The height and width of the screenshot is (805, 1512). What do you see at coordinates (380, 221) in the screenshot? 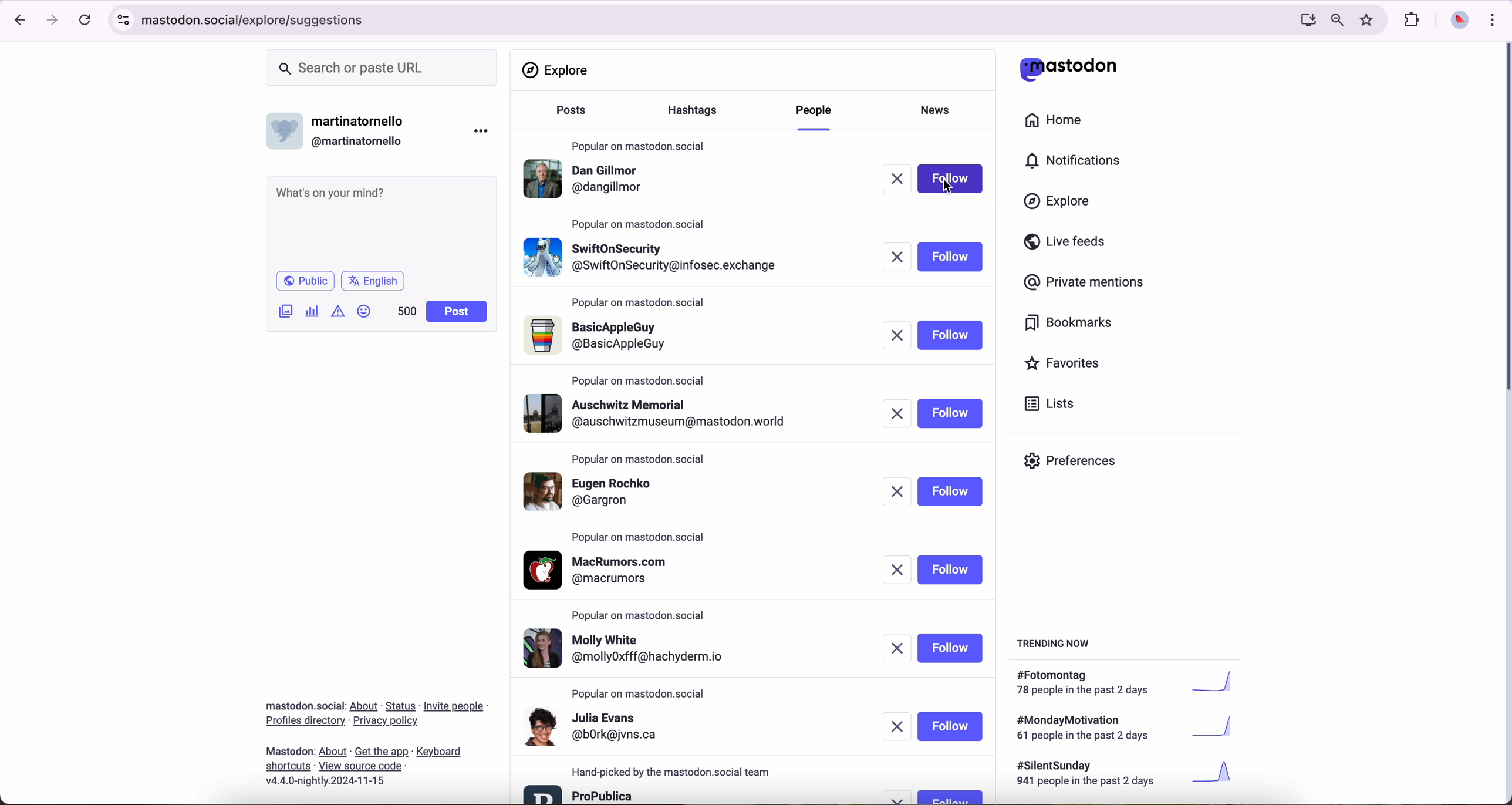
I see `what's on your mind?` at bounding box center [380, 221].